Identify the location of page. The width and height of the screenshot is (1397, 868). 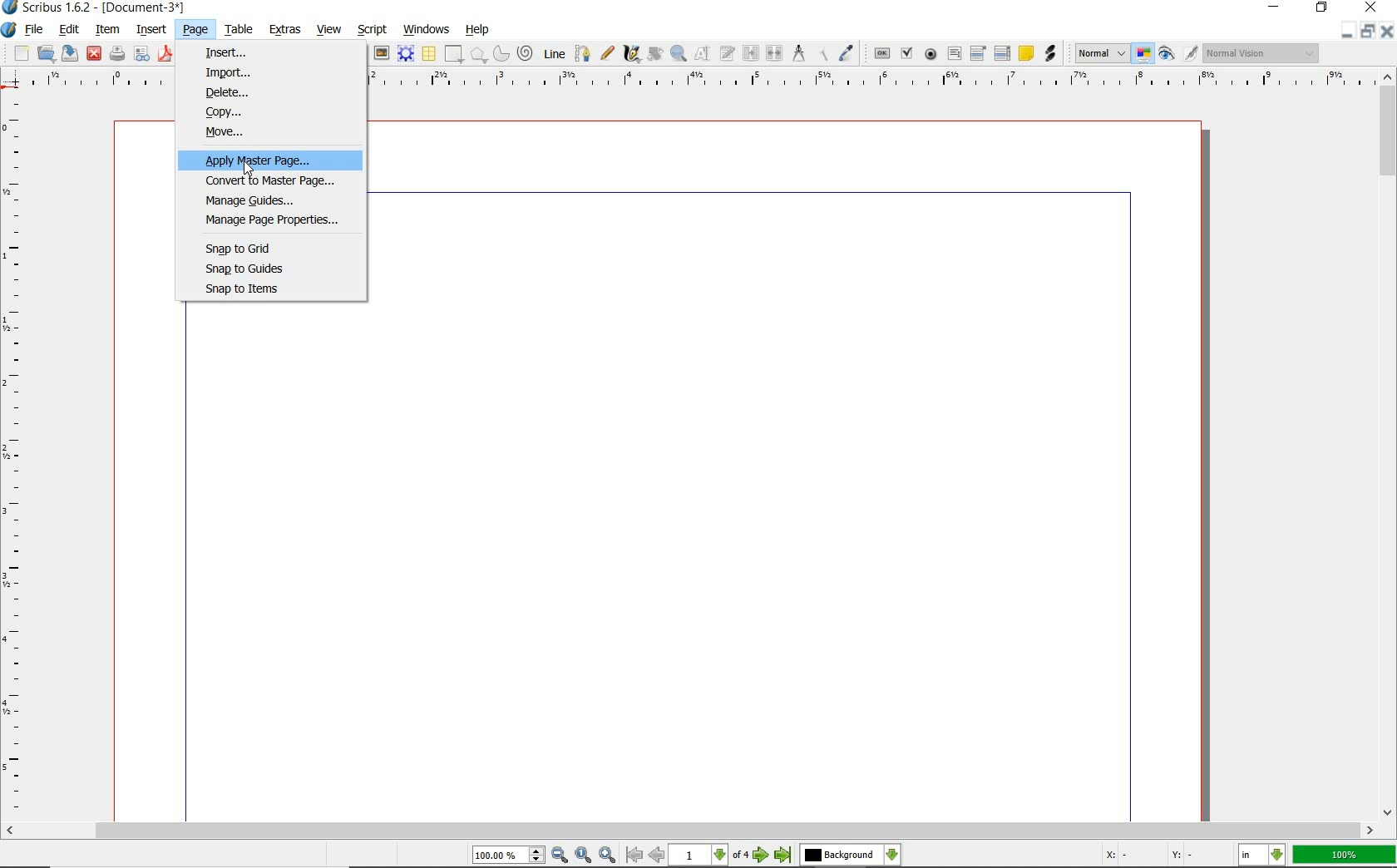
(192, 28).